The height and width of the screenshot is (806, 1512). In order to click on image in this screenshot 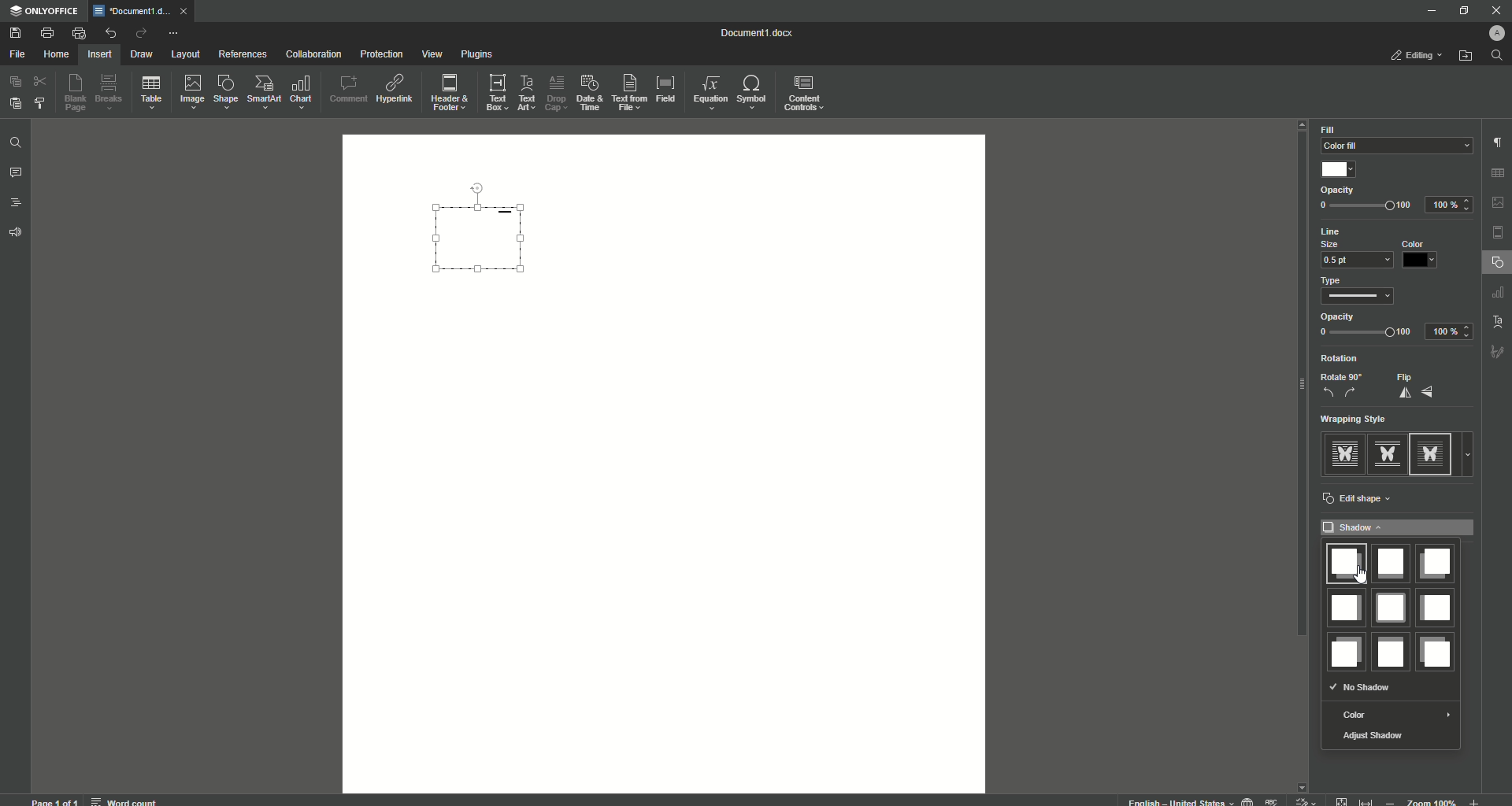, I will do `click(1499, 202)`.